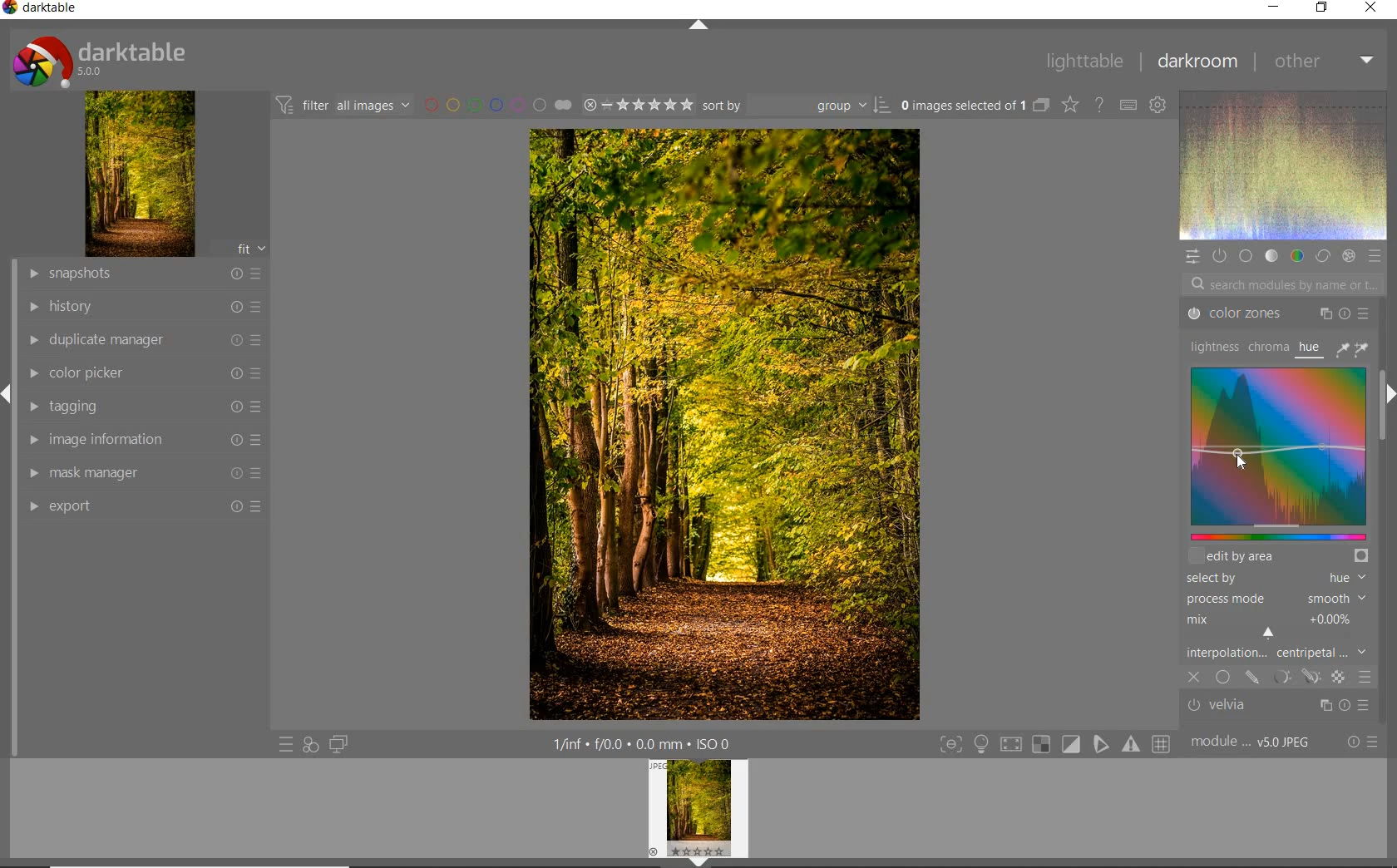  I want to click on SYSTEM LOGO & NAME, so click(101, 59).